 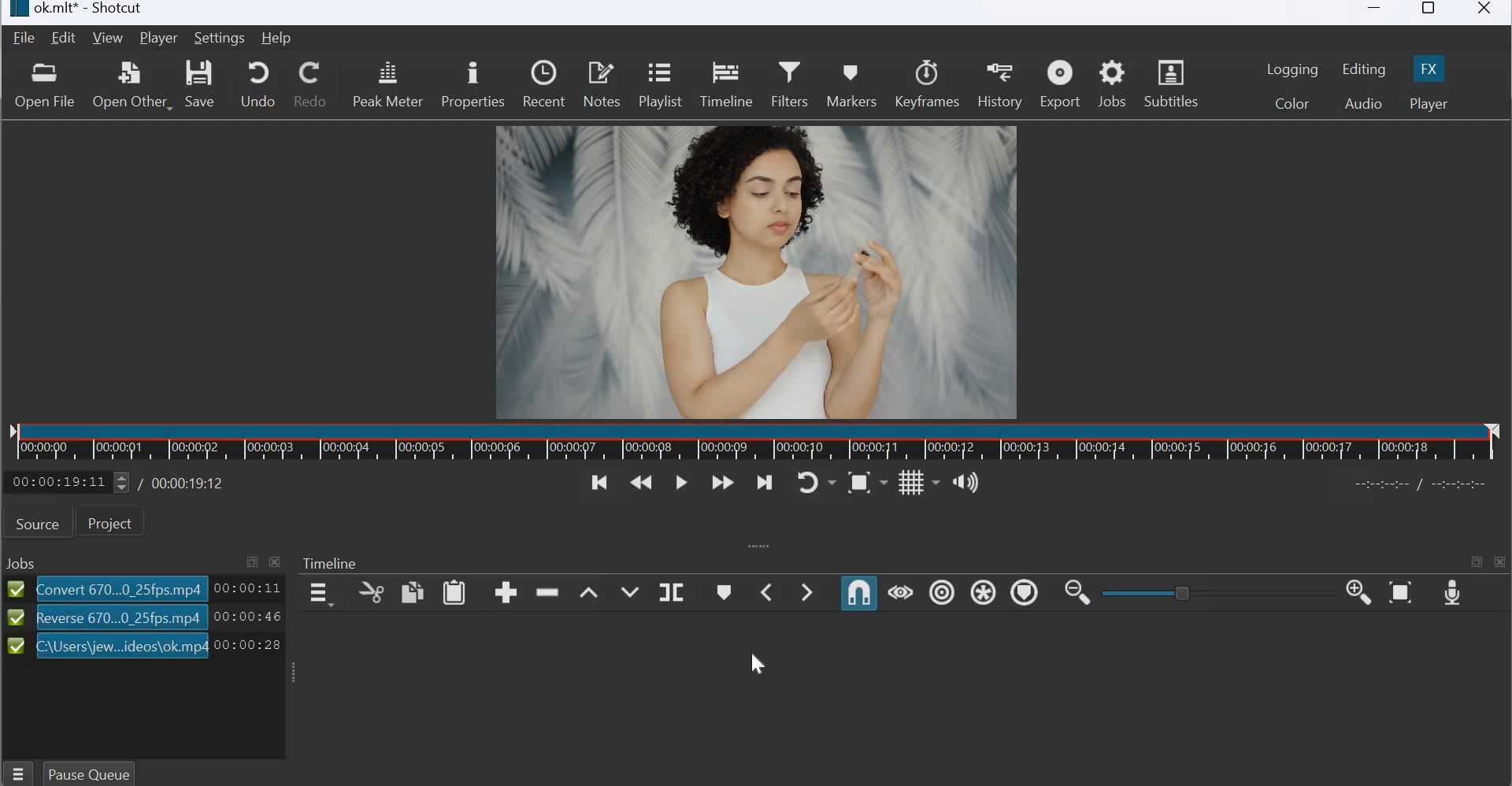 What do you see at coordinates (1474, 560) in the screenshot?
I see `maximize` at bounding box center [1474, 560].